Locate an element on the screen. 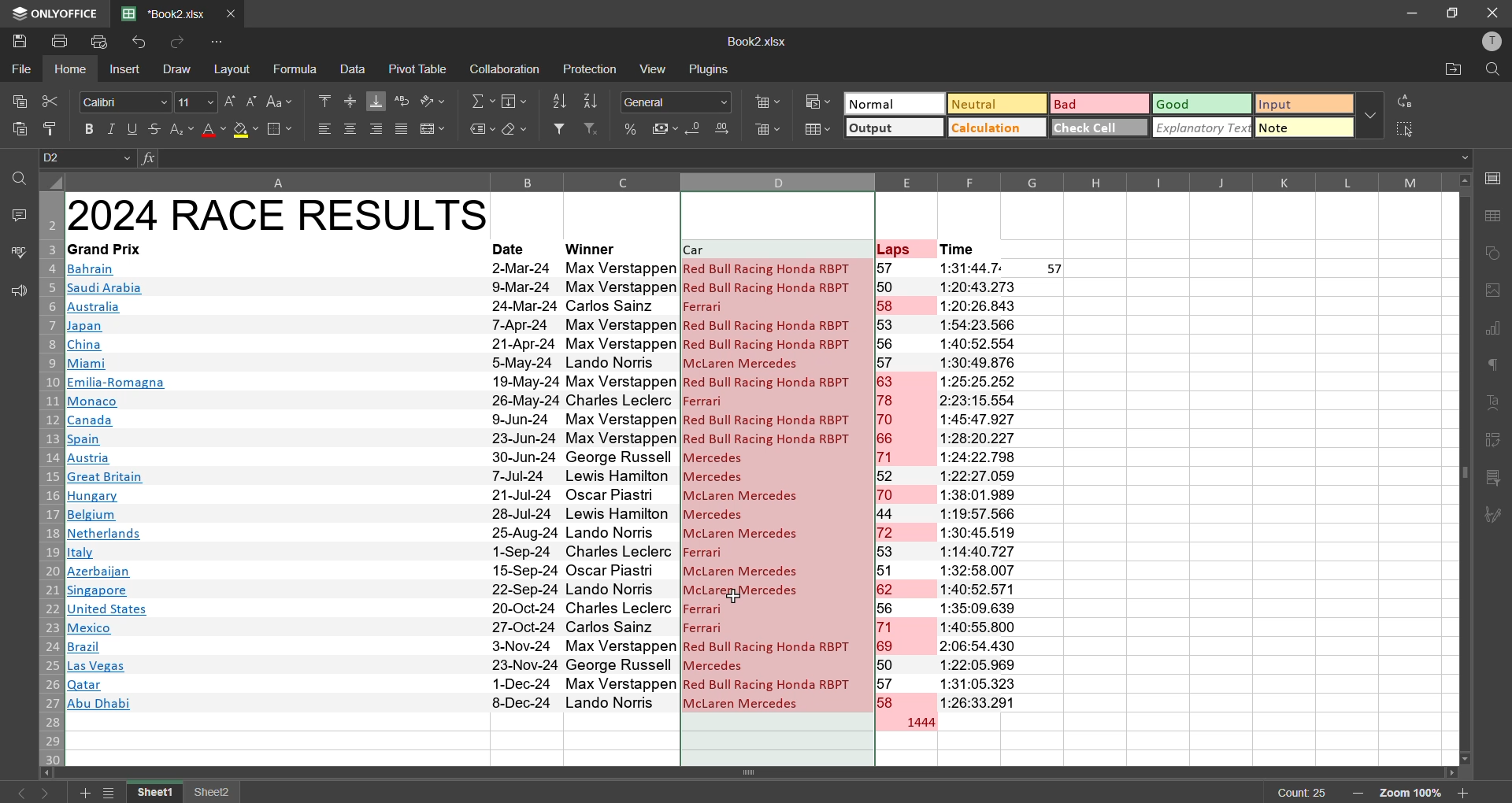  cursor is located at coordinates (734, 595).